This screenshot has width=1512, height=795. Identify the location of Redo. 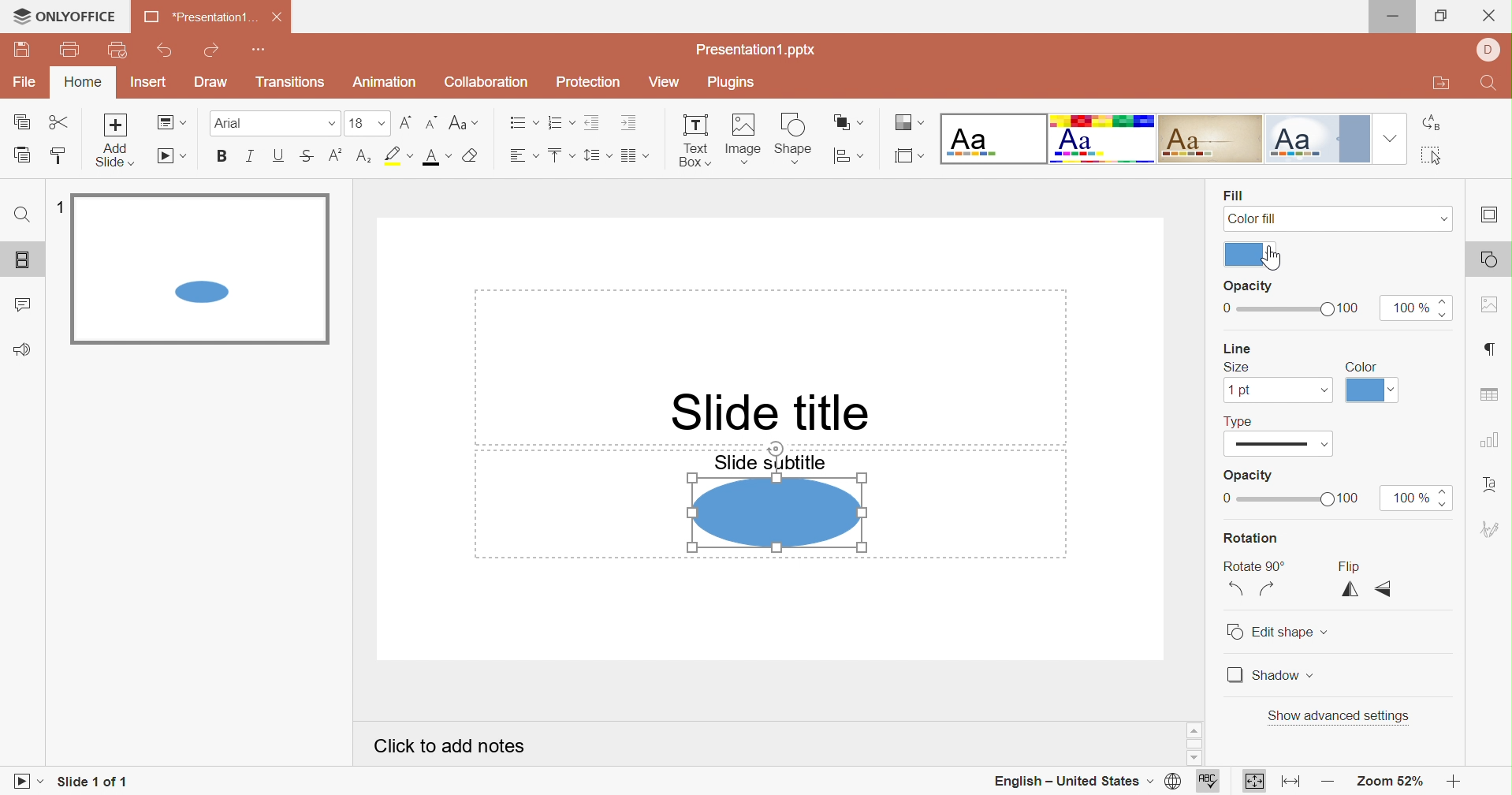
(214, 52).